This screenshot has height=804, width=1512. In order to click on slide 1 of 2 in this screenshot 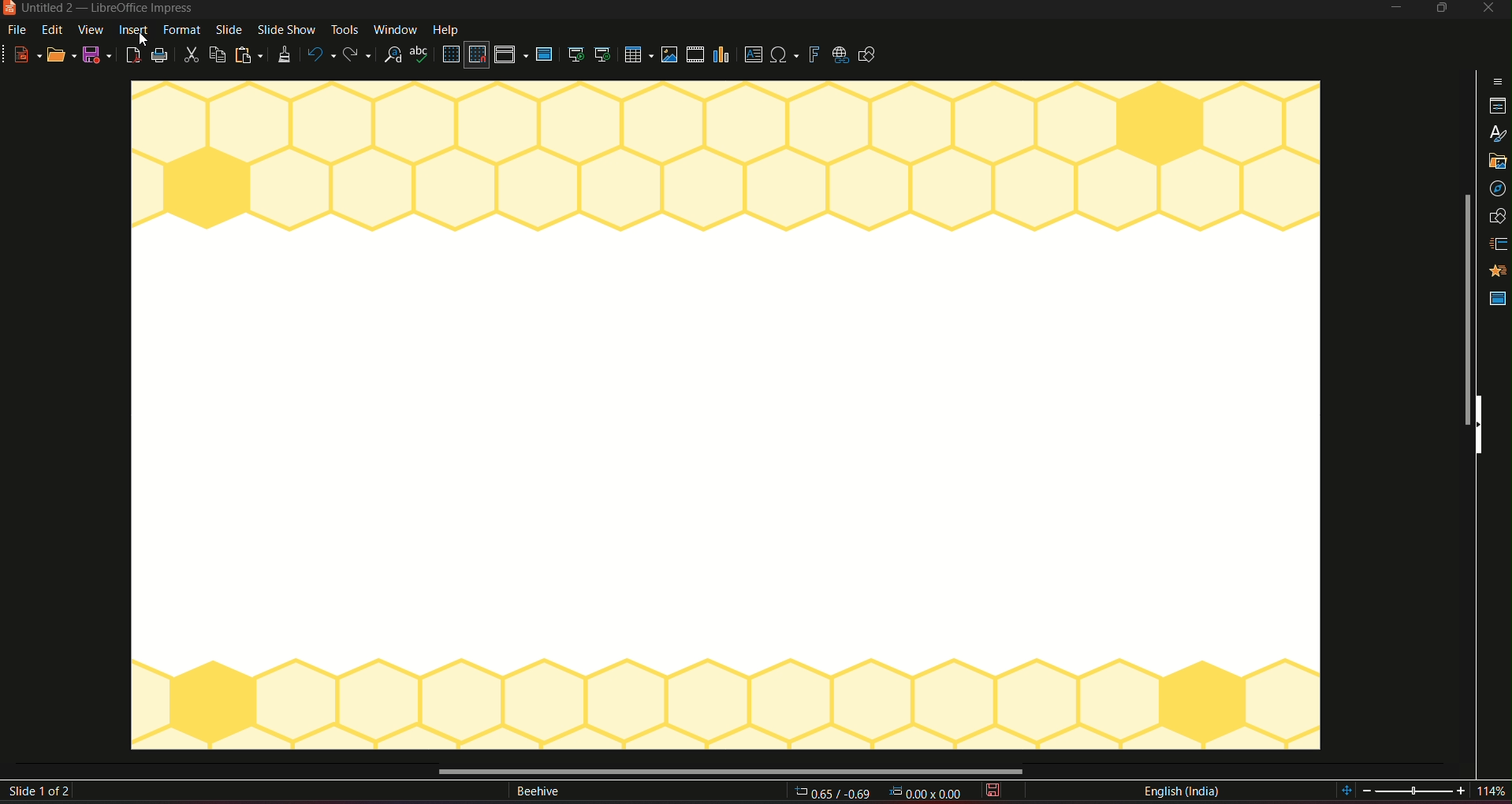, I will do `click(43, 792)`.